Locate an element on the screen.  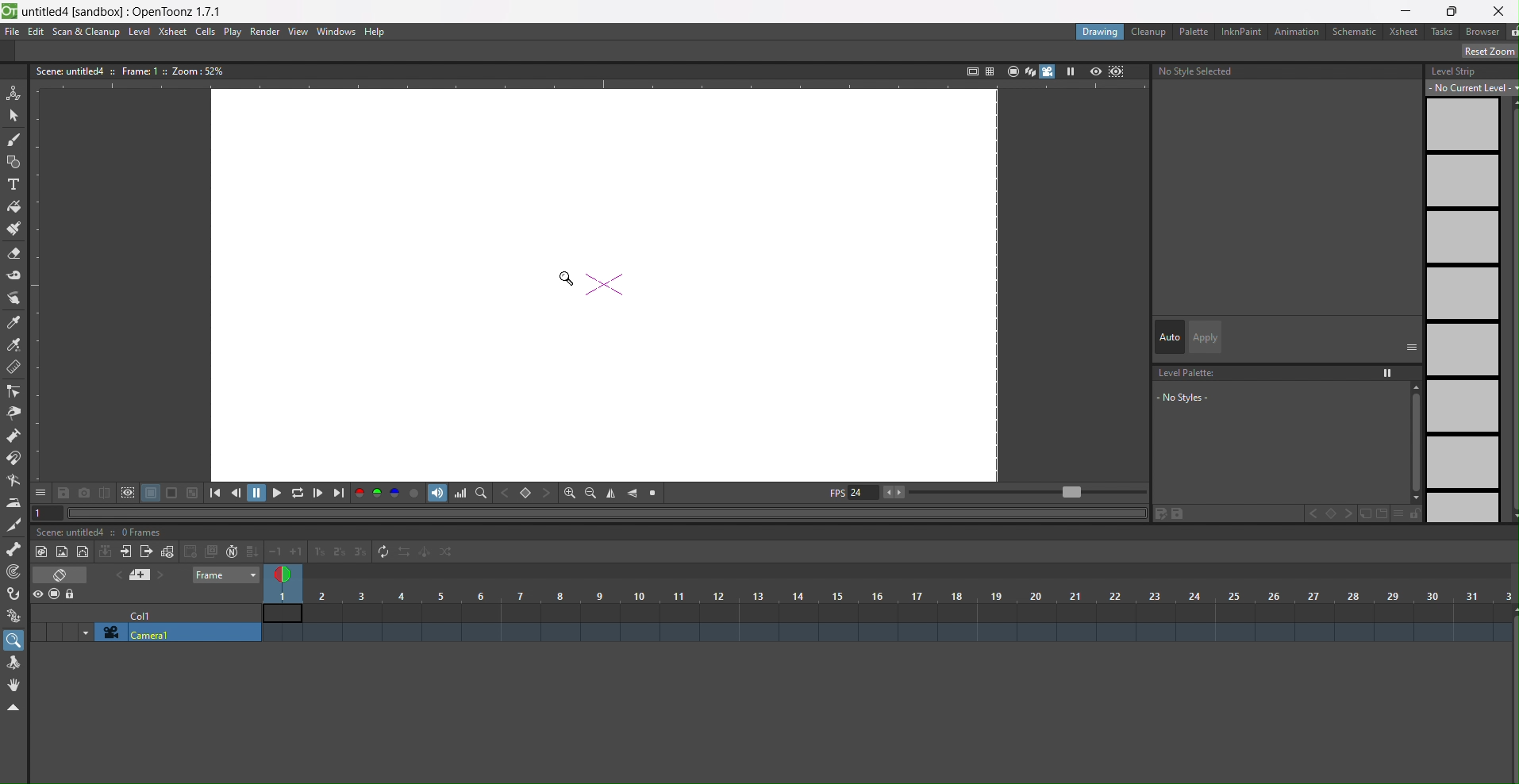
icon is located at coordinates (105, 553).